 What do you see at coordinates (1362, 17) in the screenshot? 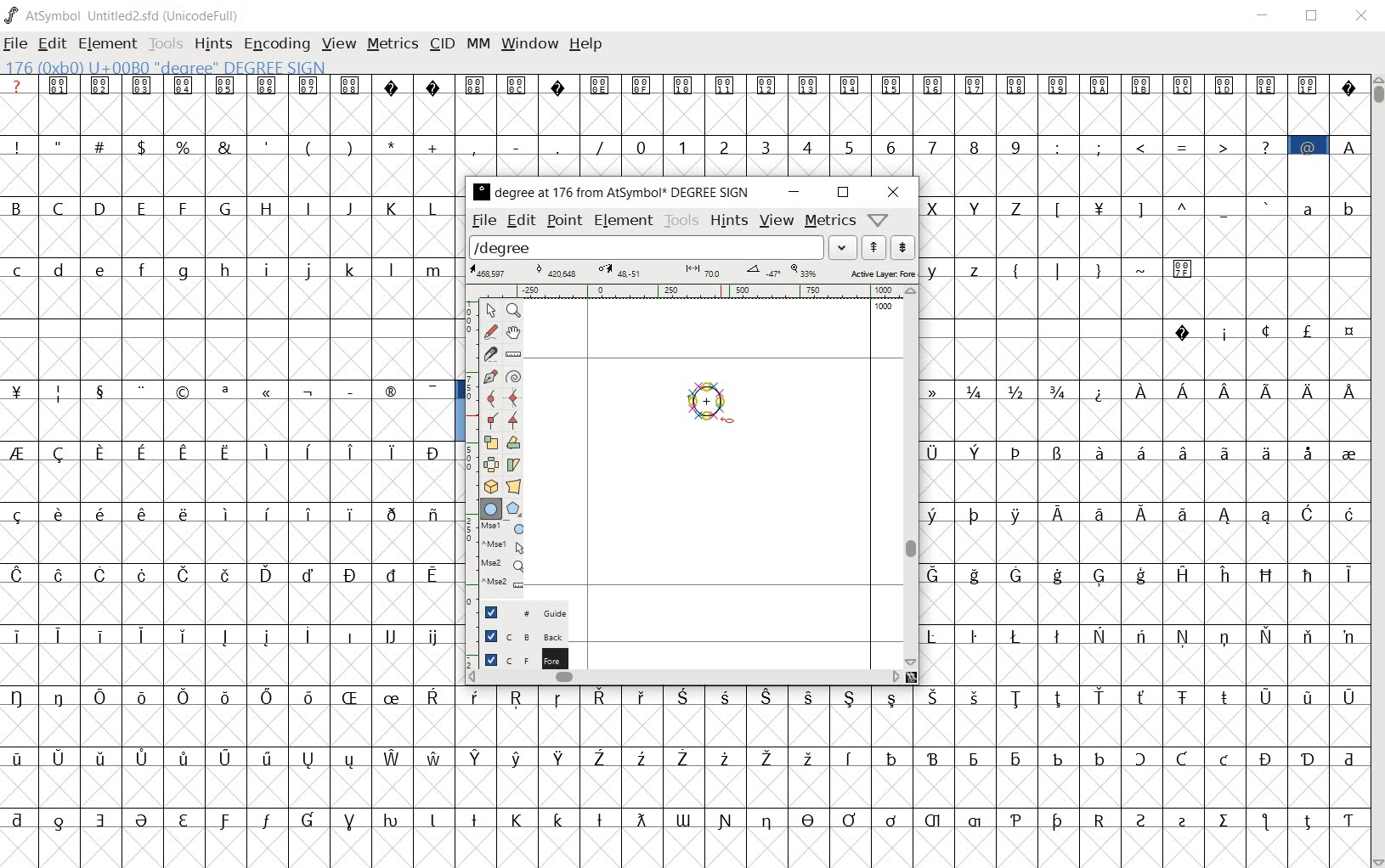
I see `close` at bounding box center [1362, 17].